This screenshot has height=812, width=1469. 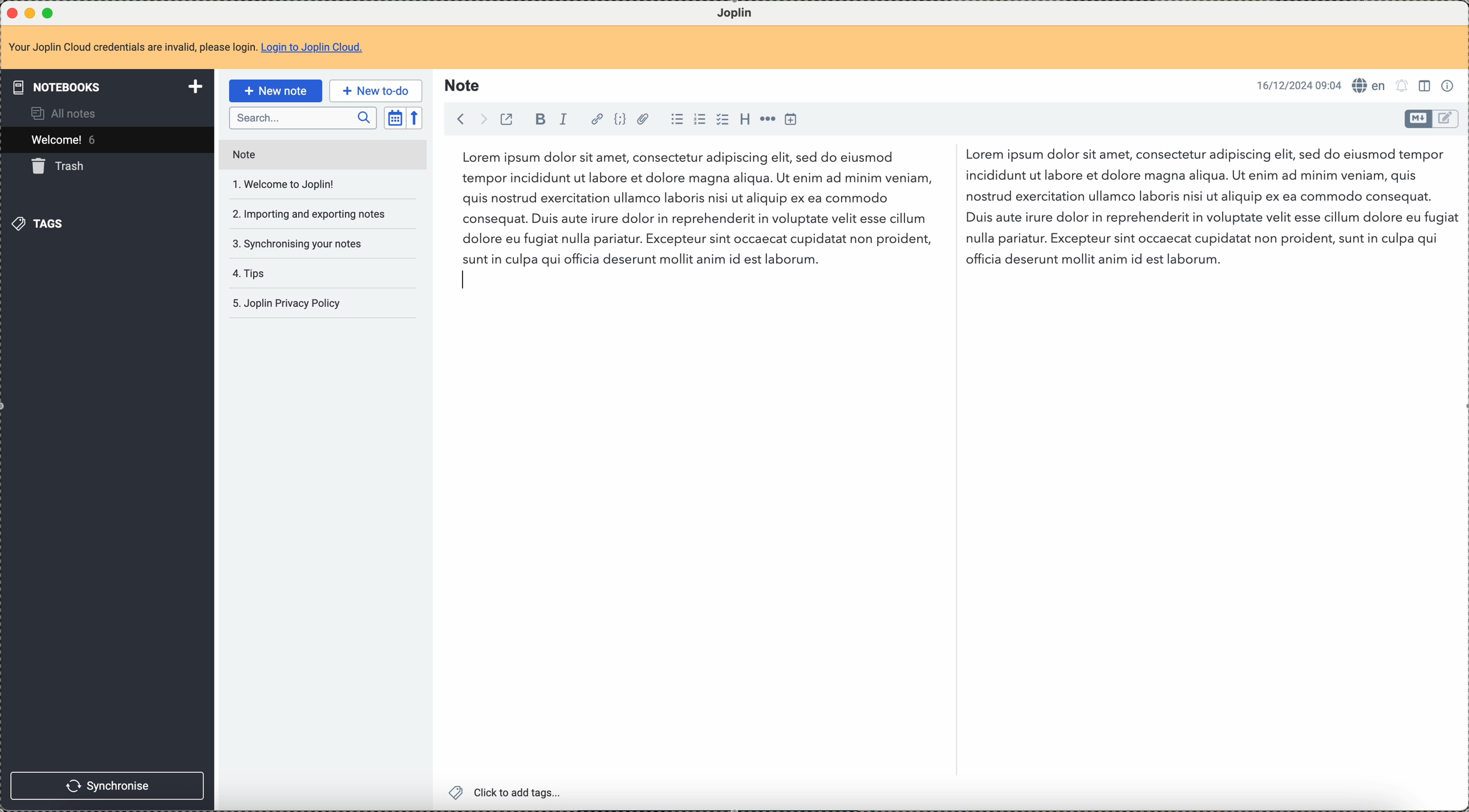 I want to click on new to-do, so click(x=375, y=91).